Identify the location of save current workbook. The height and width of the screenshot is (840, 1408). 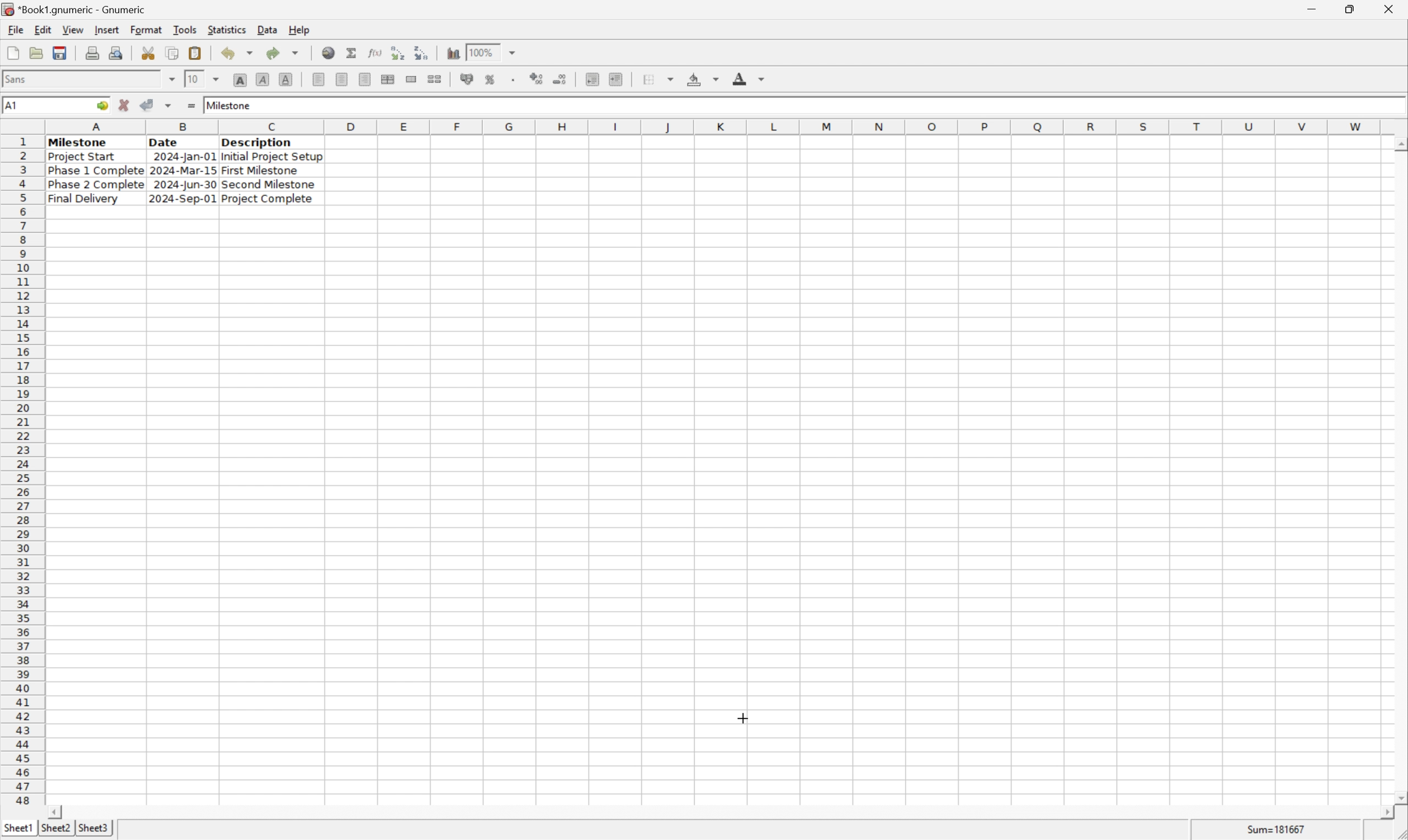
(60, 54).